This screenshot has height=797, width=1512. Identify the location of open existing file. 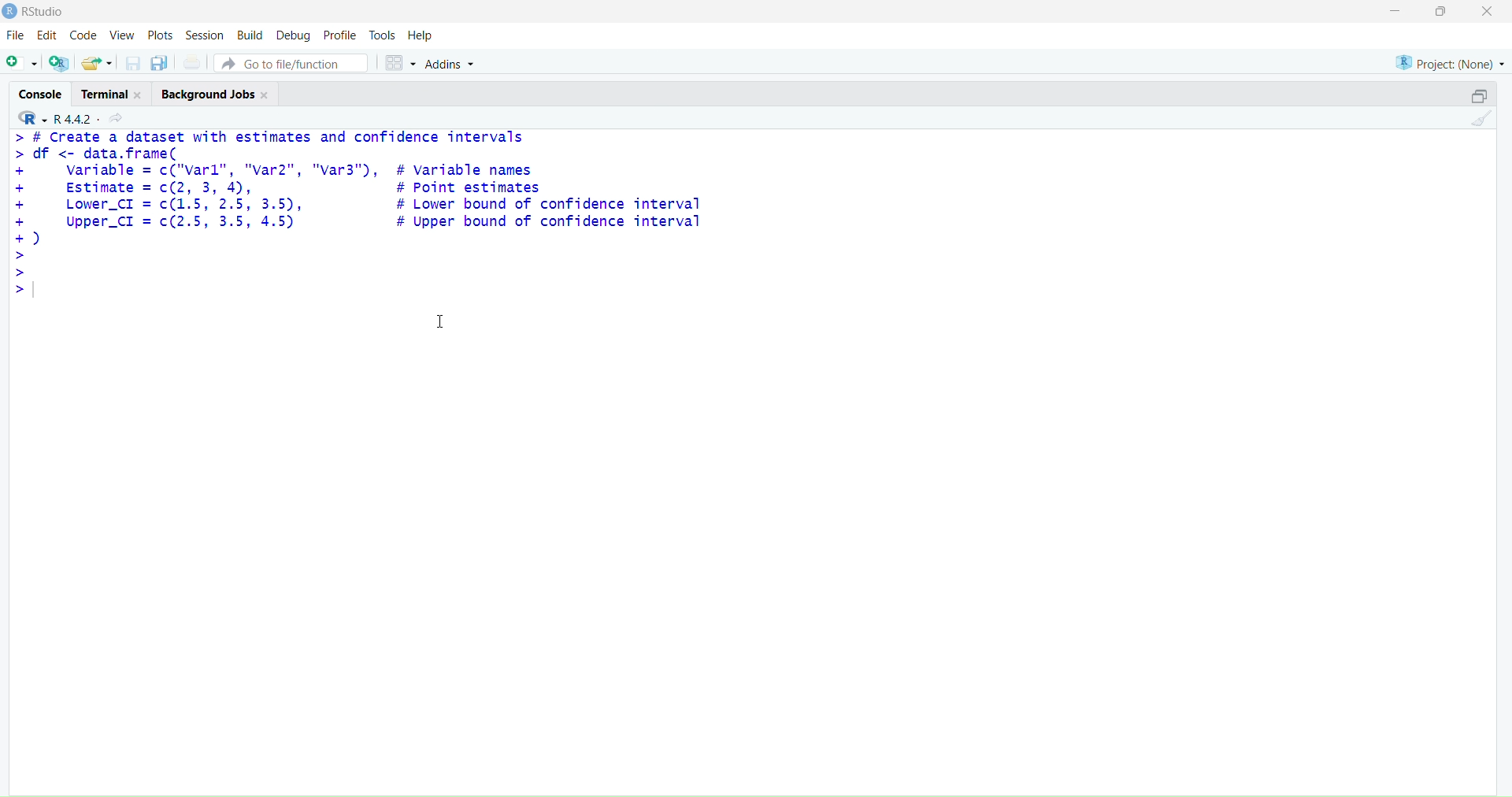
(96, 61).